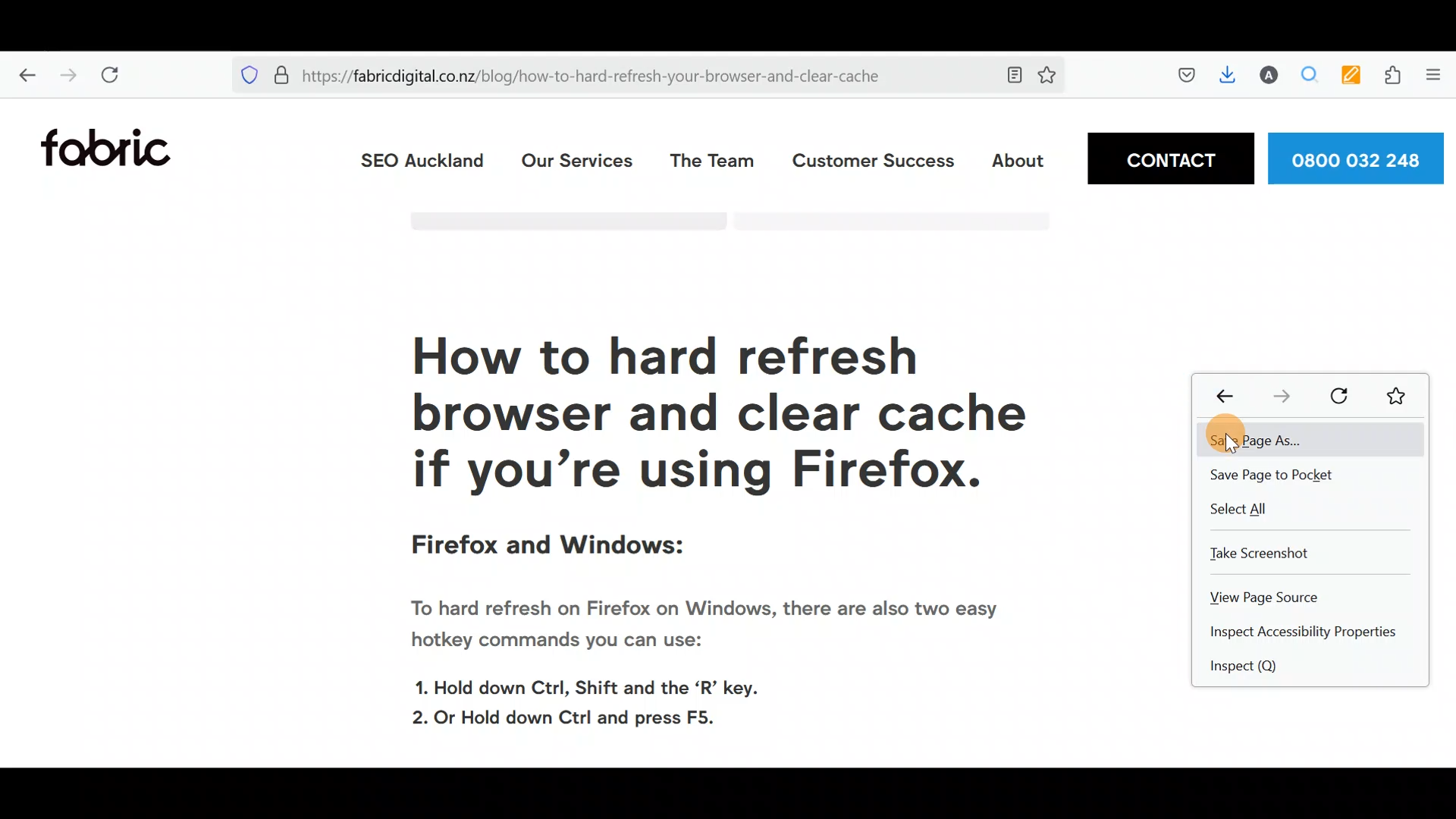 The width and height of the screenshot is (1456, 819). What do you see at coordinates (700, 414) in the screenshot?
I see `How to hard refresh your browser and clear cache if you're using Firefox` at bounding box center [700, 414].